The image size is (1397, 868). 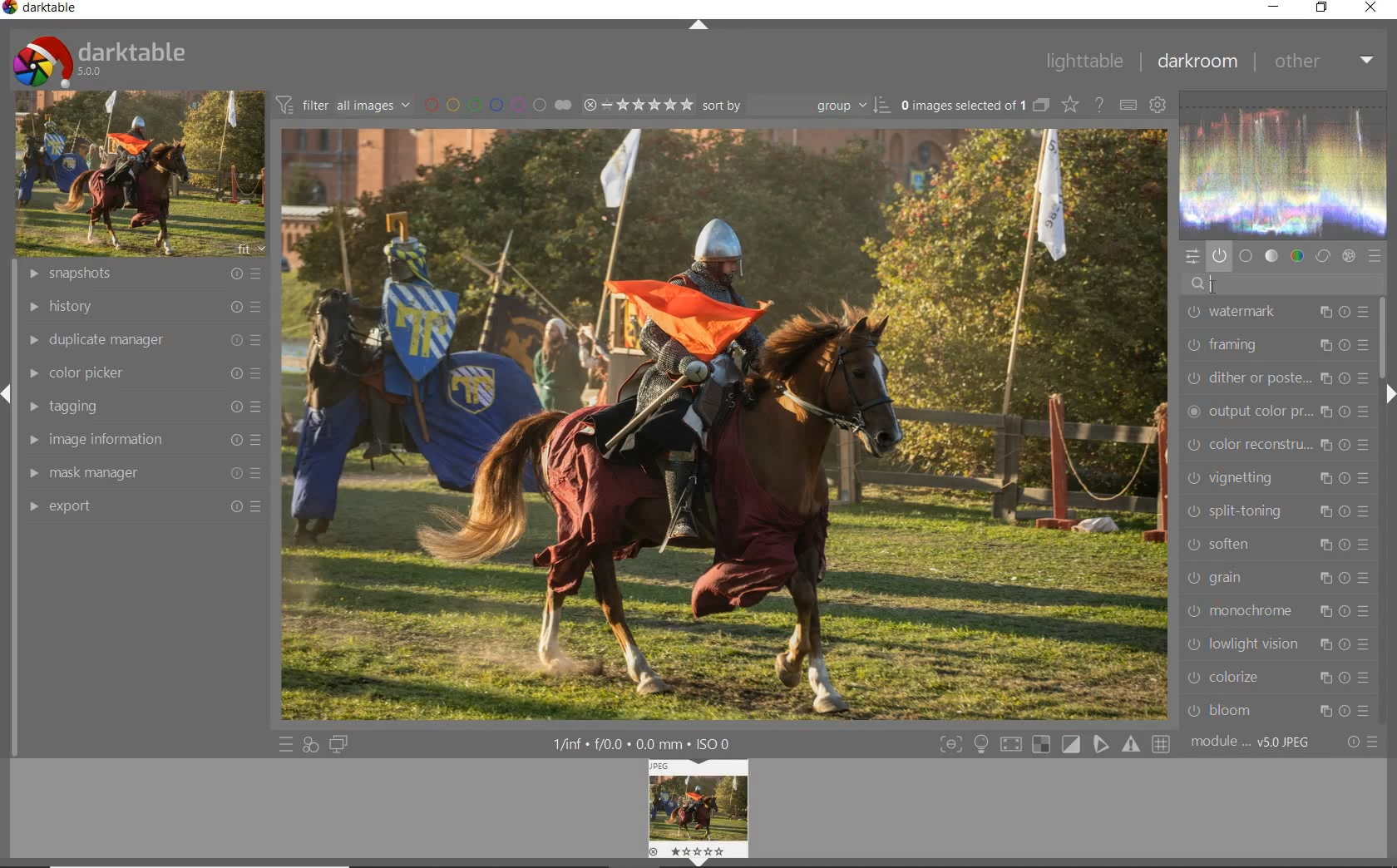 I want to click on waveform, so click(x=1281, y=163).